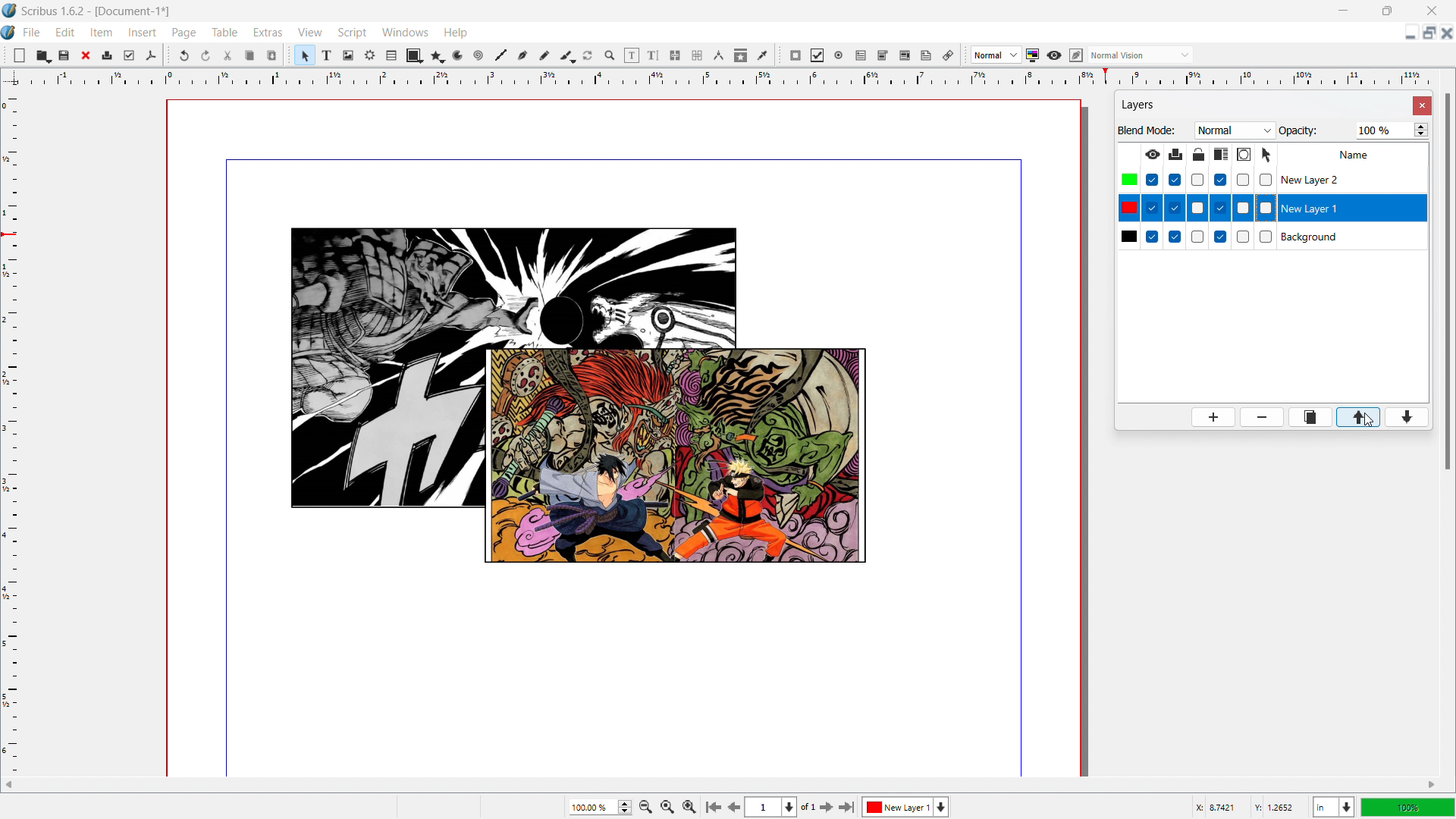 This screenshot has height=819, width=1456. What do you see at coordinates (795, 55) in the screenshot?
I see `pdf push button` at bounding box center [795, 55].